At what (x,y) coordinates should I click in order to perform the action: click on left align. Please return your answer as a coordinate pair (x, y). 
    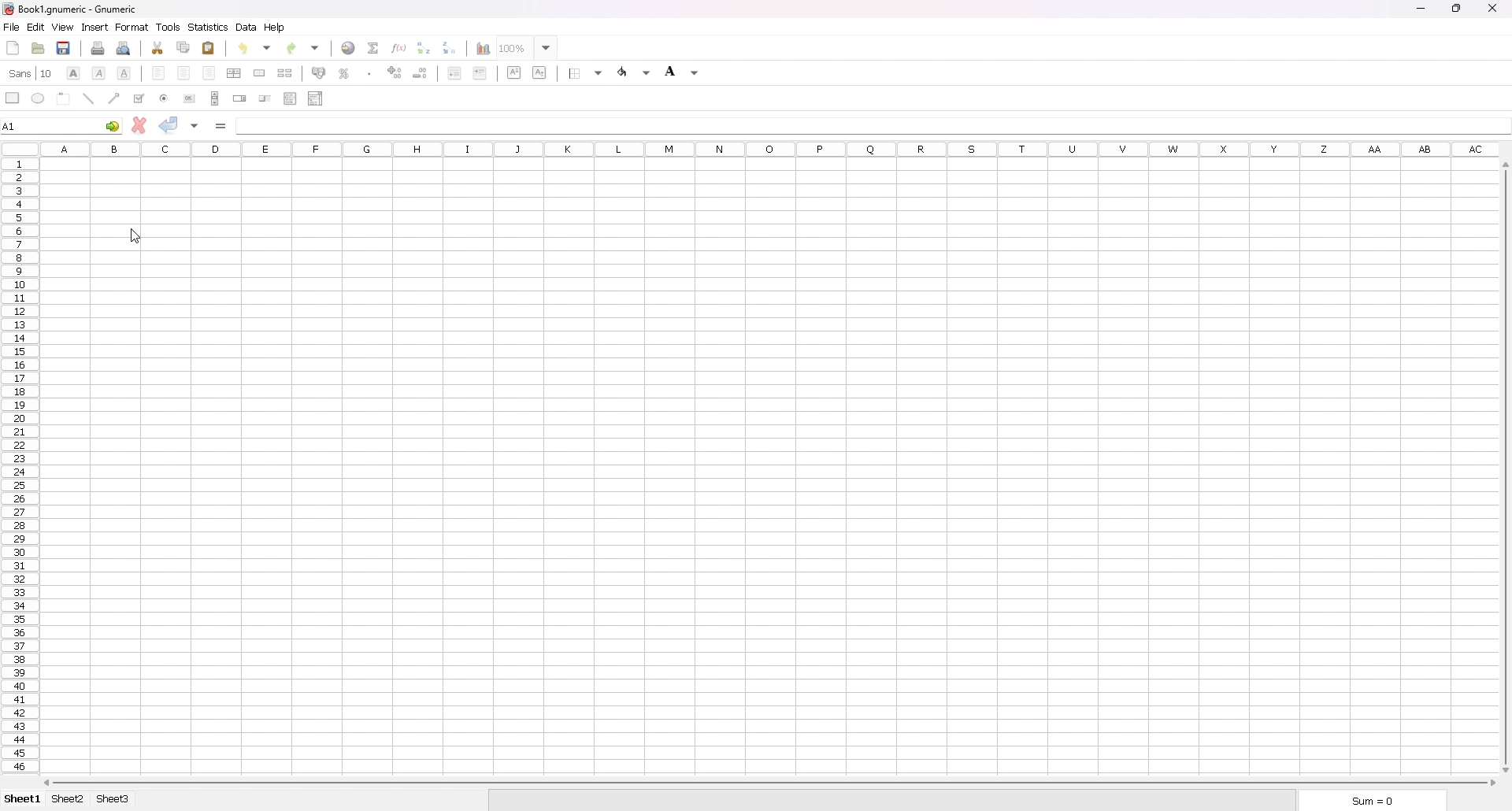
    Looking at the image, I should click on (159, 72).